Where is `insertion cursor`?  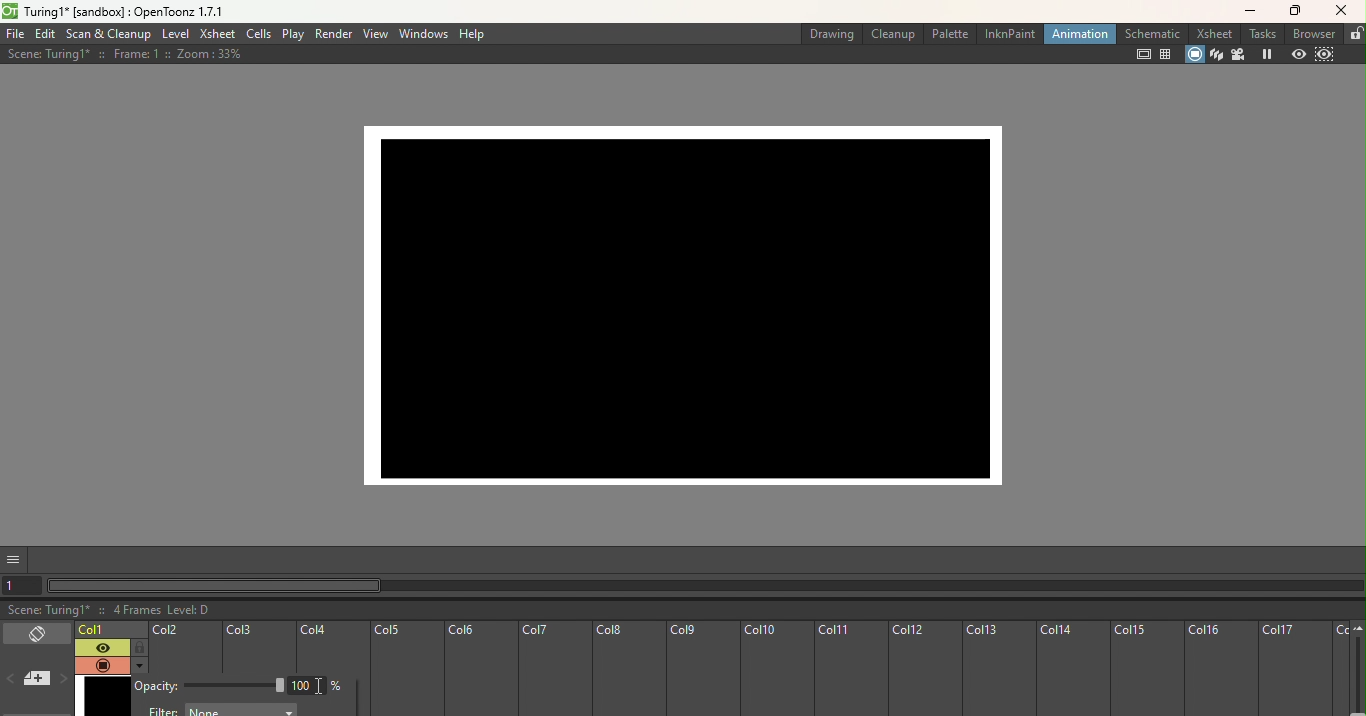 insertion cursor is located at coordinates (321, 687).